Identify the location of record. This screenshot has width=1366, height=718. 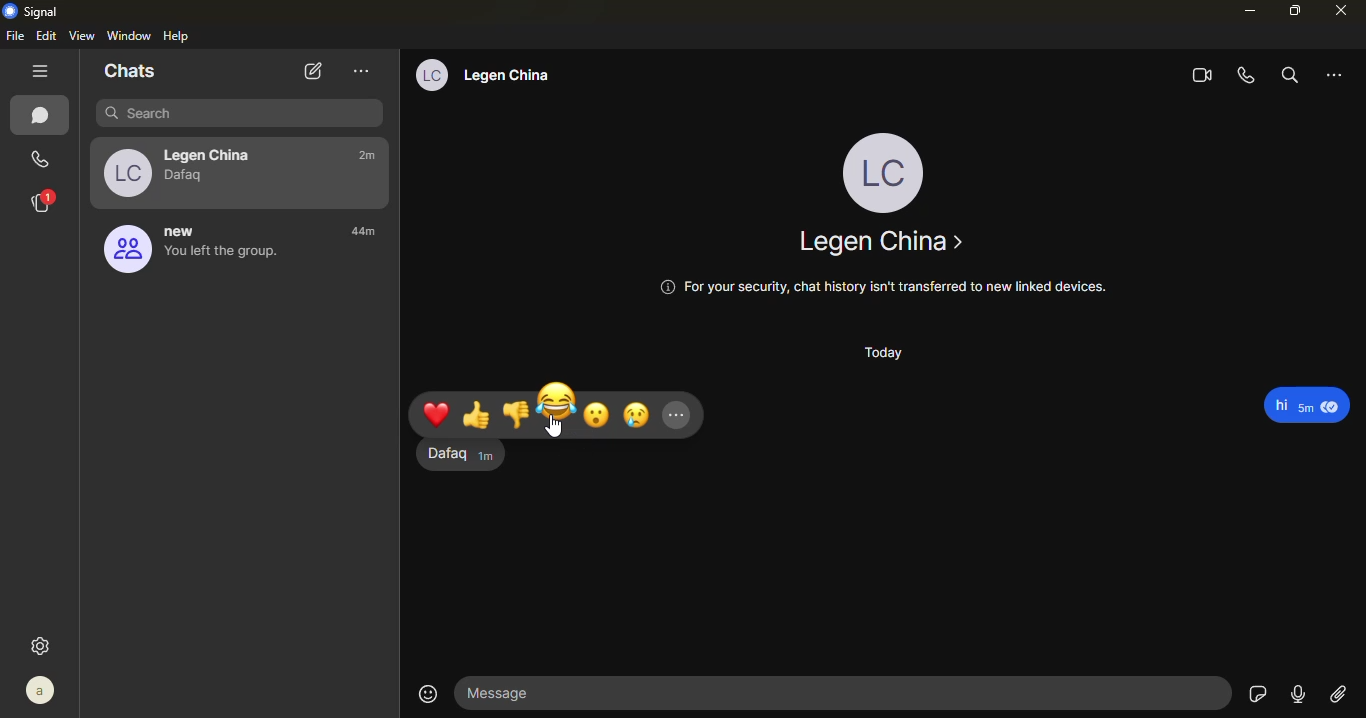
(1297, 692).